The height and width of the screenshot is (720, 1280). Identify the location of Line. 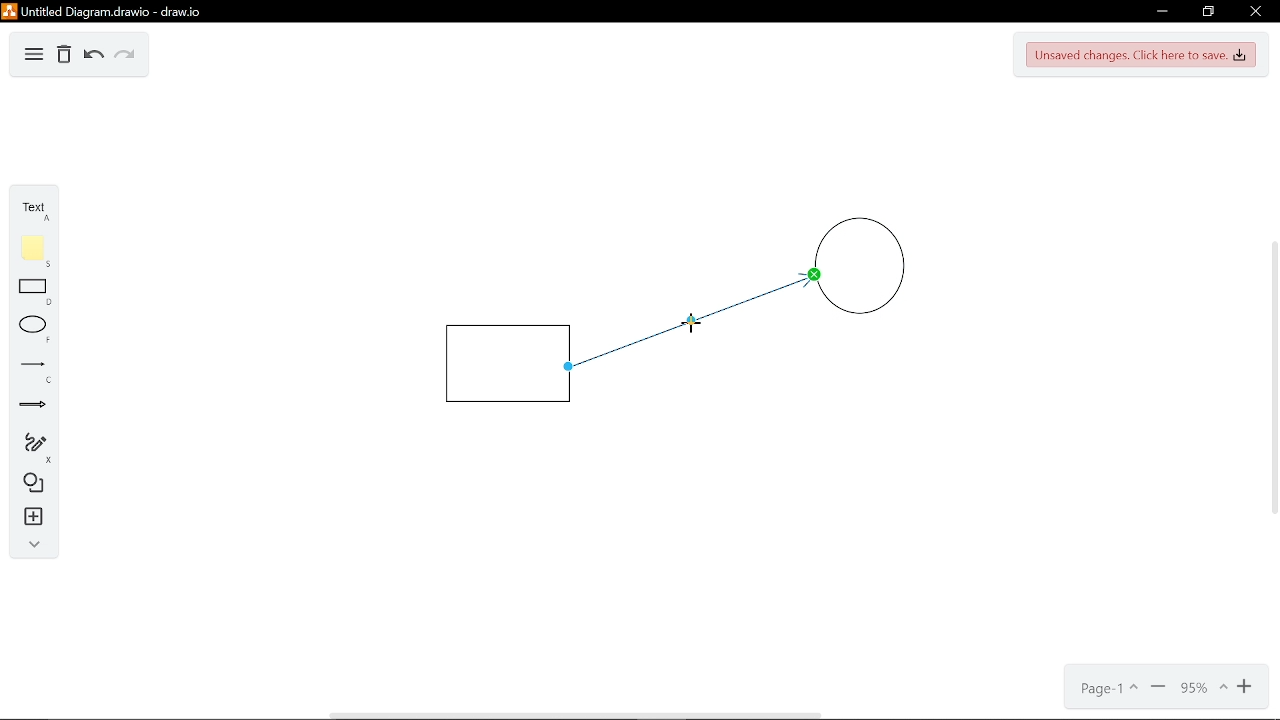
(669, 335).